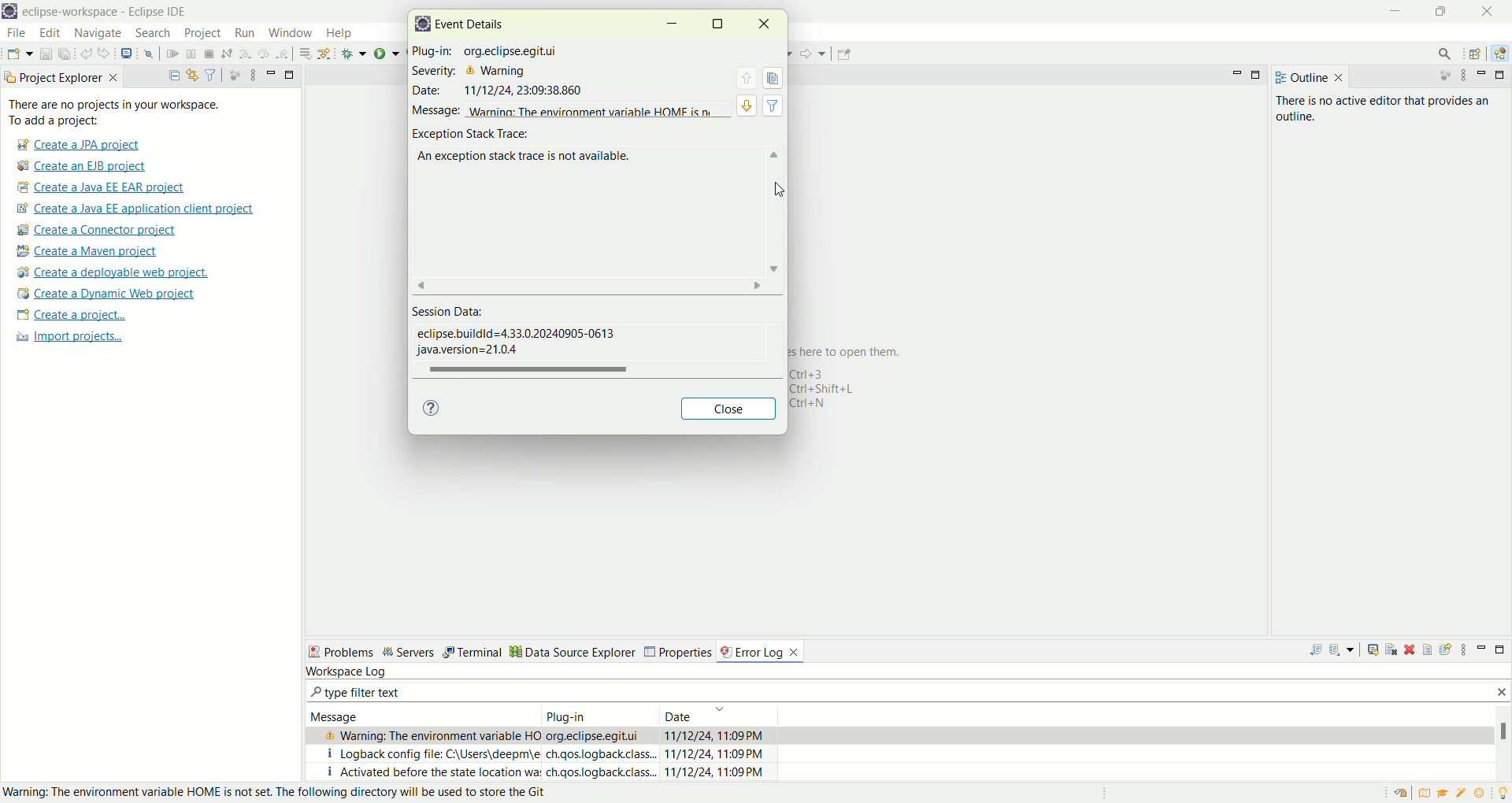  I want to click on an exception stack trace is not available., so click(528, 156).